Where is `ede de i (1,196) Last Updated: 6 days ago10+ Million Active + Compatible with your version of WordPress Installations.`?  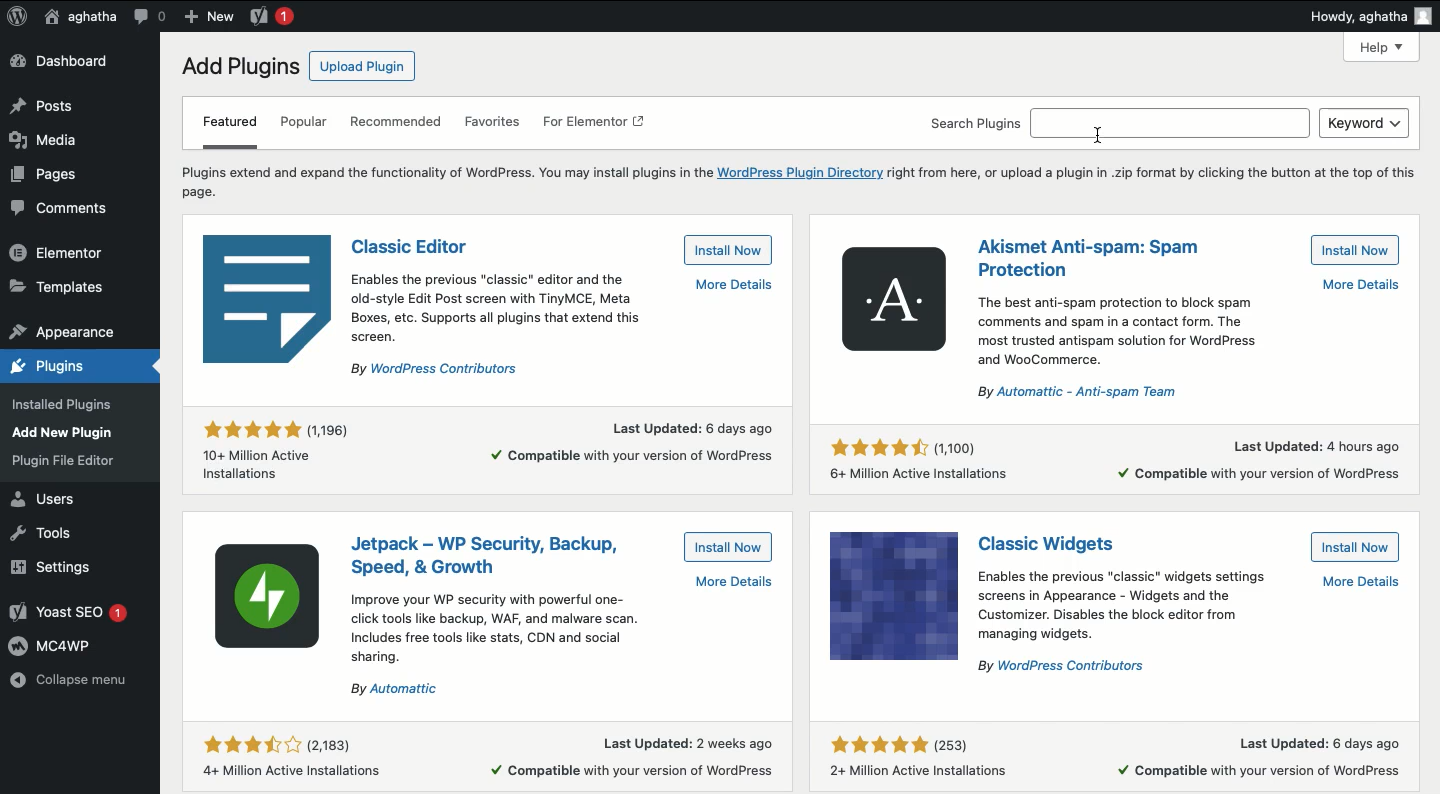
ede de i (1,196) Last Updated: 6 days ago10+ Million Active + Compatible with your version of WordPress Installations. is located at coordinates (485, 447).